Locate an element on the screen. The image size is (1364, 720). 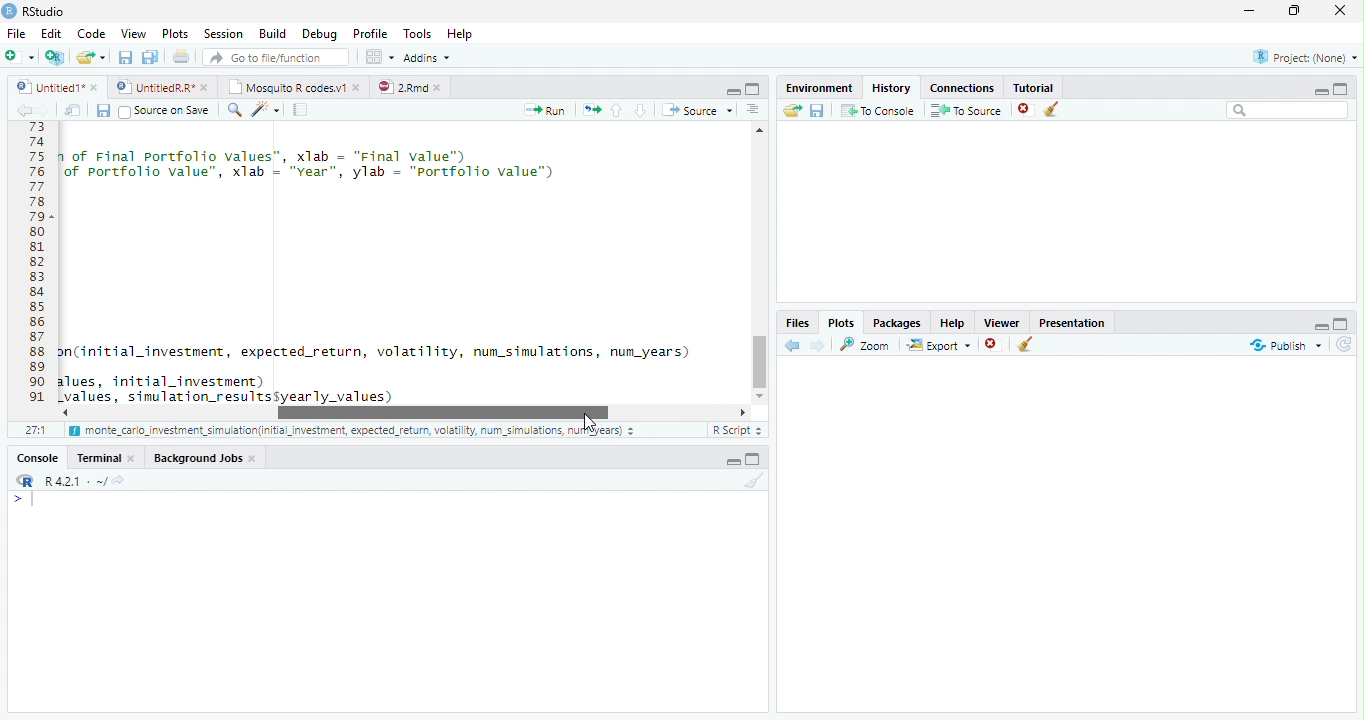
Go to previous plot is located at coordinates (793, 345).